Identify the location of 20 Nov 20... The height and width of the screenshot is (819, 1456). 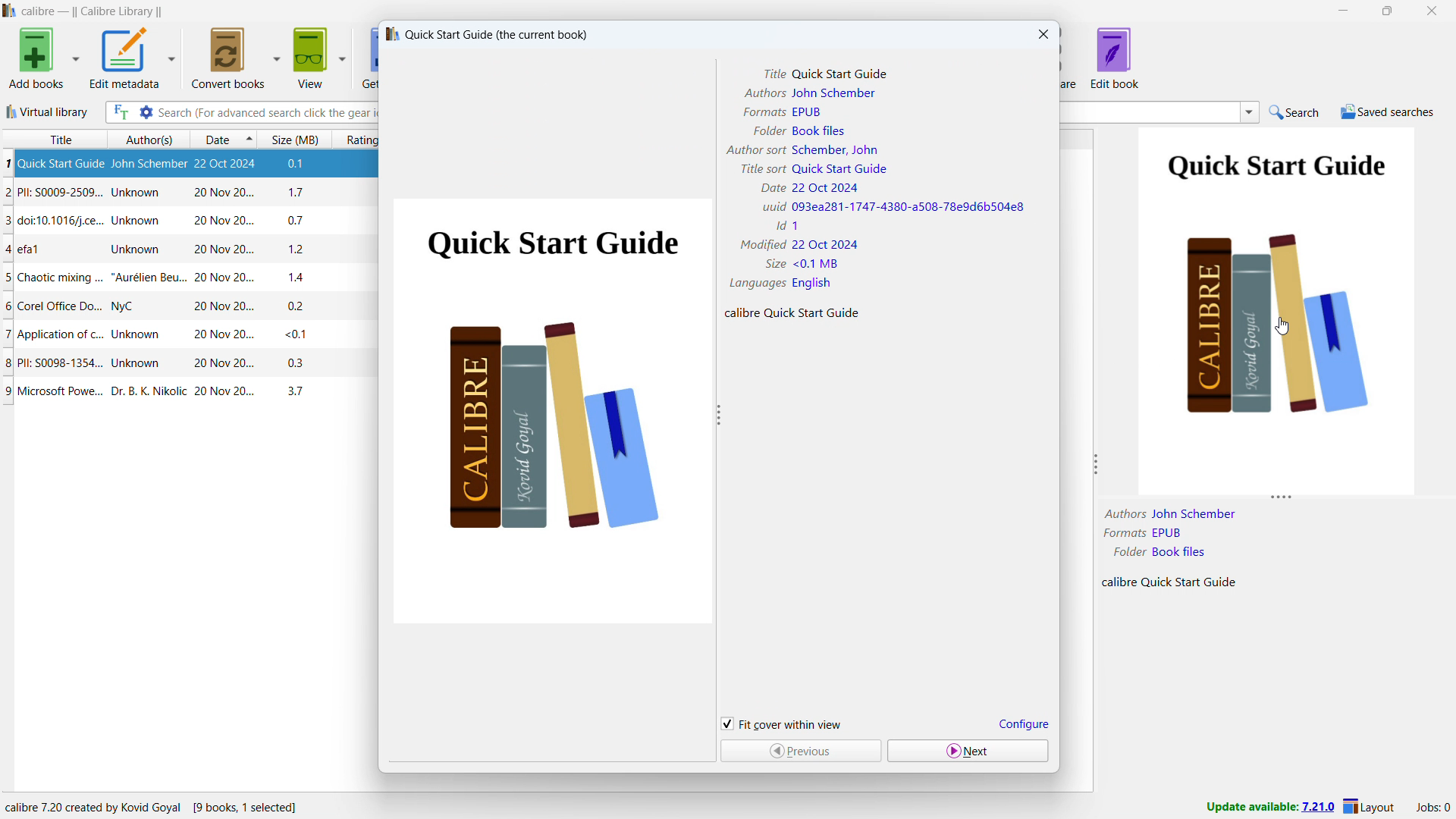
(223, 364).